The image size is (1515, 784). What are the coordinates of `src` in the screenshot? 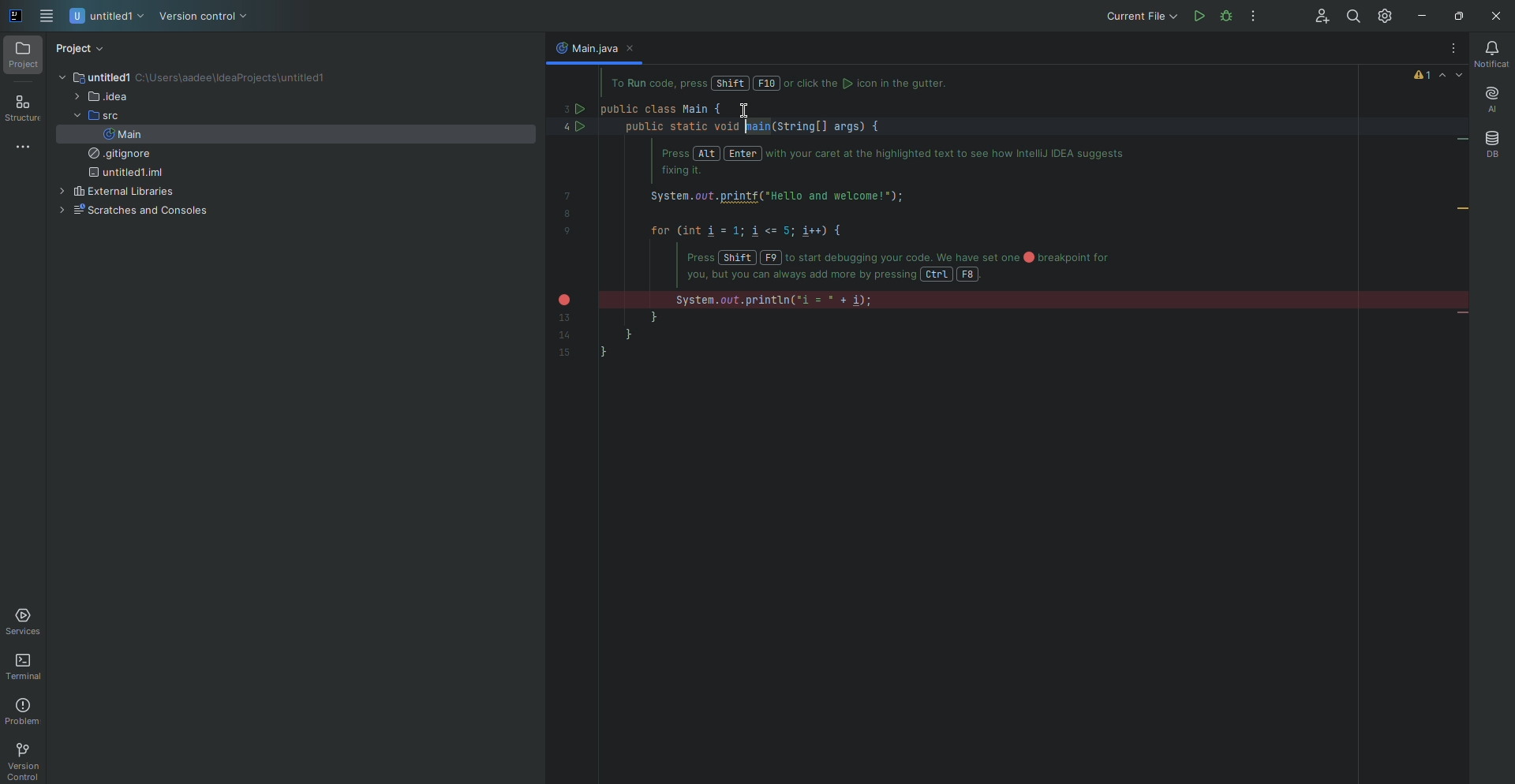 It's located at (92, 116).